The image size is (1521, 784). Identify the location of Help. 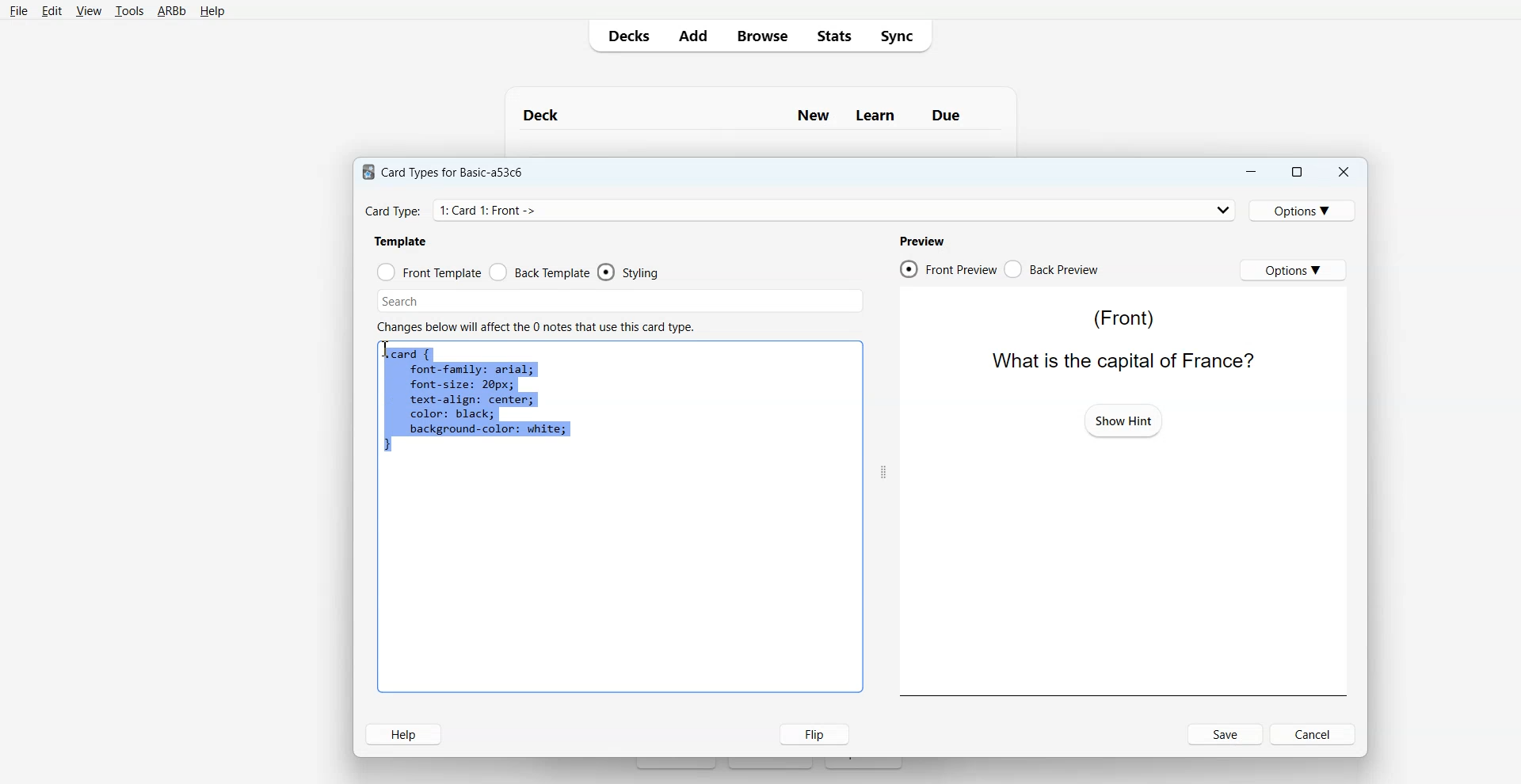
(403, 734).